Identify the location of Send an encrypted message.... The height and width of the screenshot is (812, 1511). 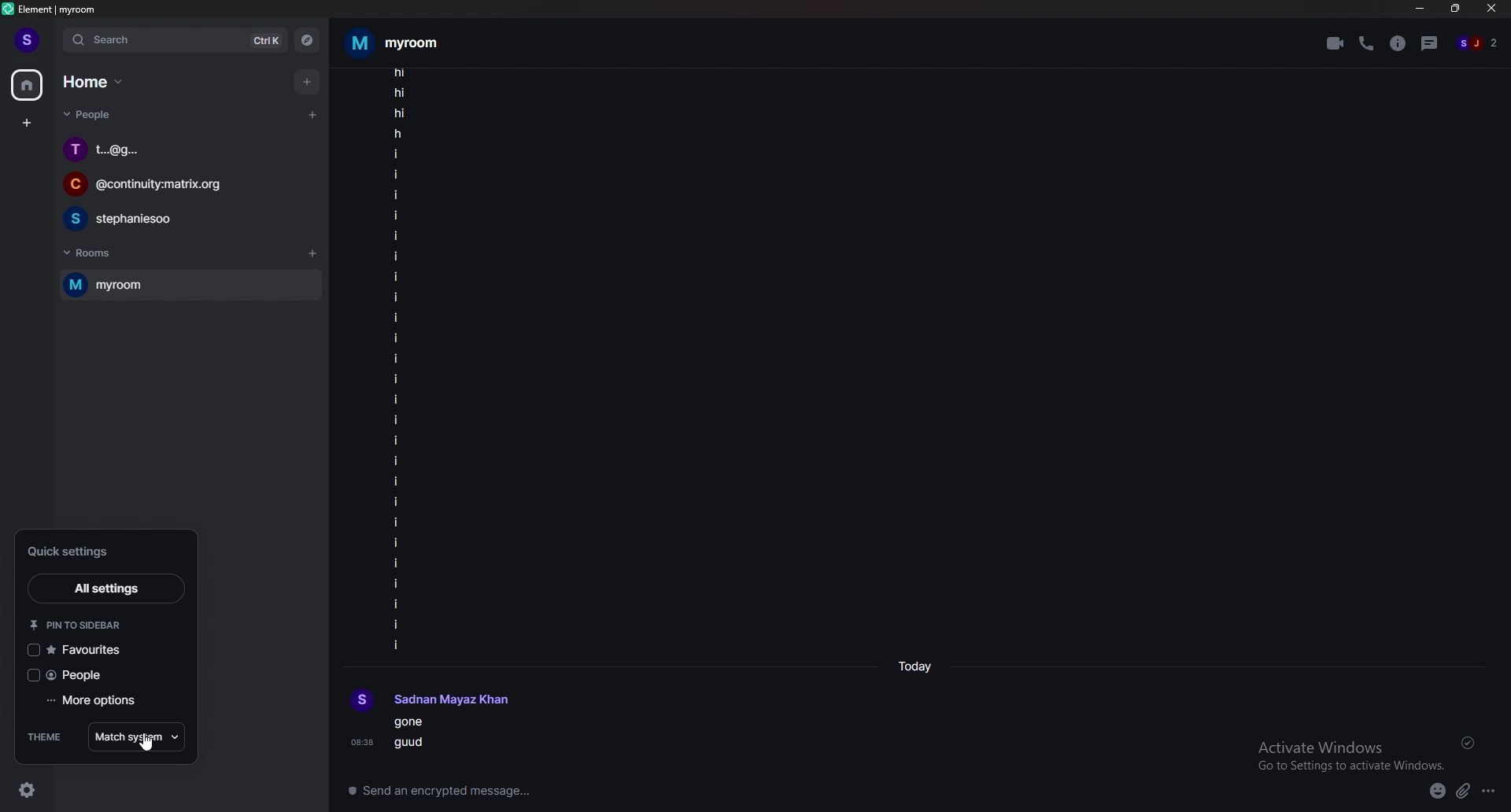
(451, 793).